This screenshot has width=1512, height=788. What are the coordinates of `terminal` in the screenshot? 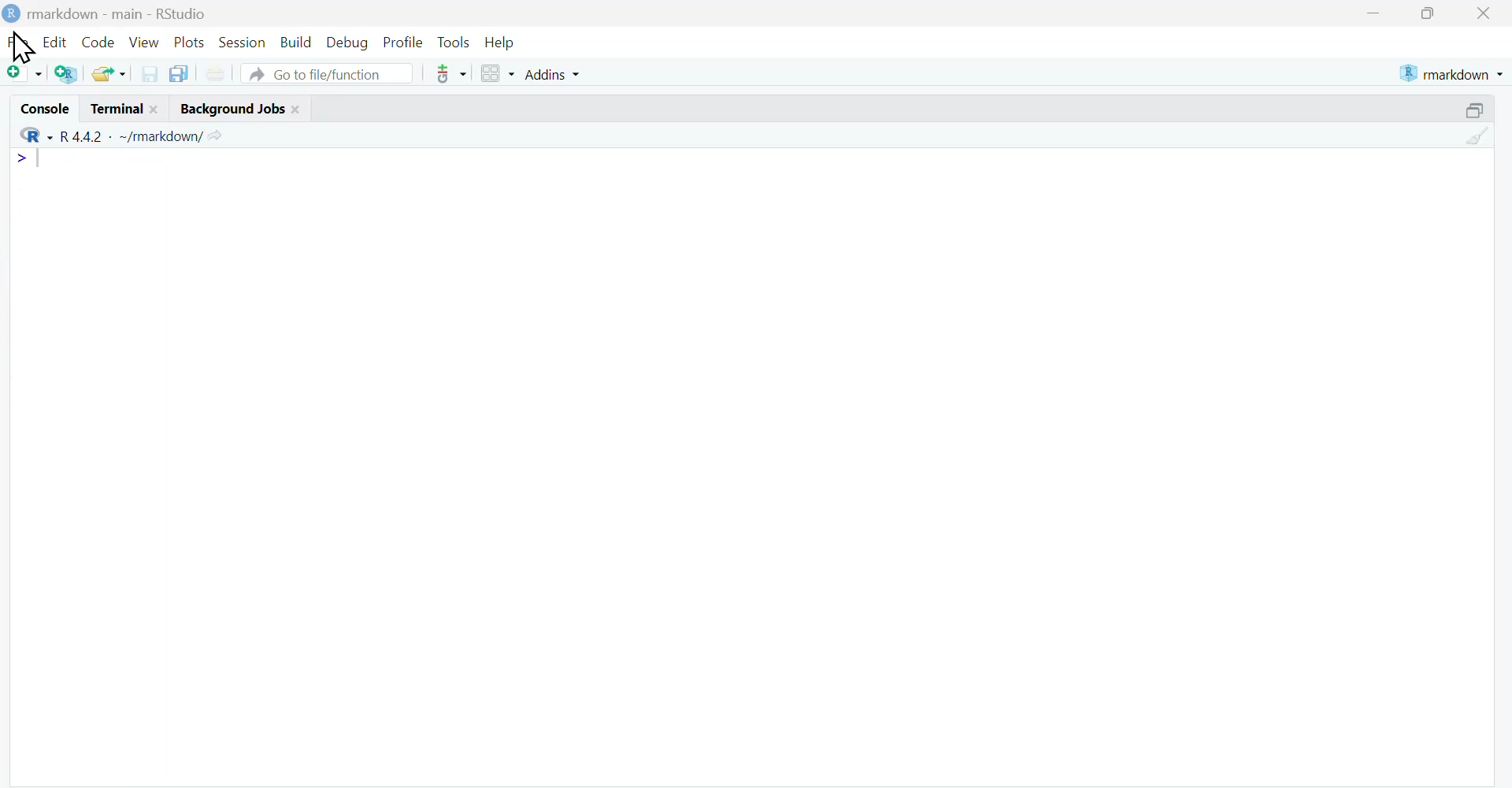 It's located at (124, 109).